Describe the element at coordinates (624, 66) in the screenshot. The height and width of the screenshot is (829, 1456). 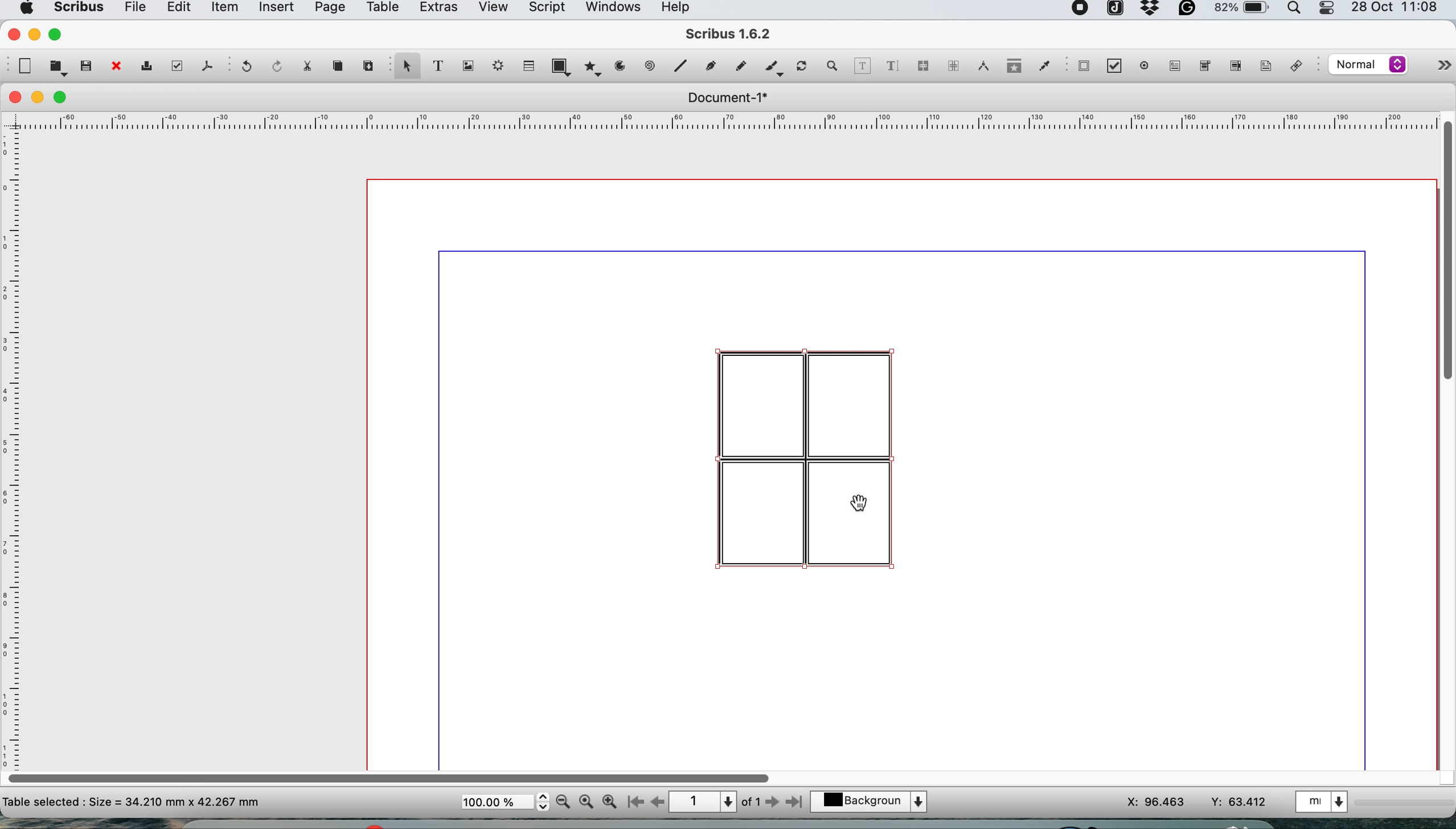
I see `arc` at that location.